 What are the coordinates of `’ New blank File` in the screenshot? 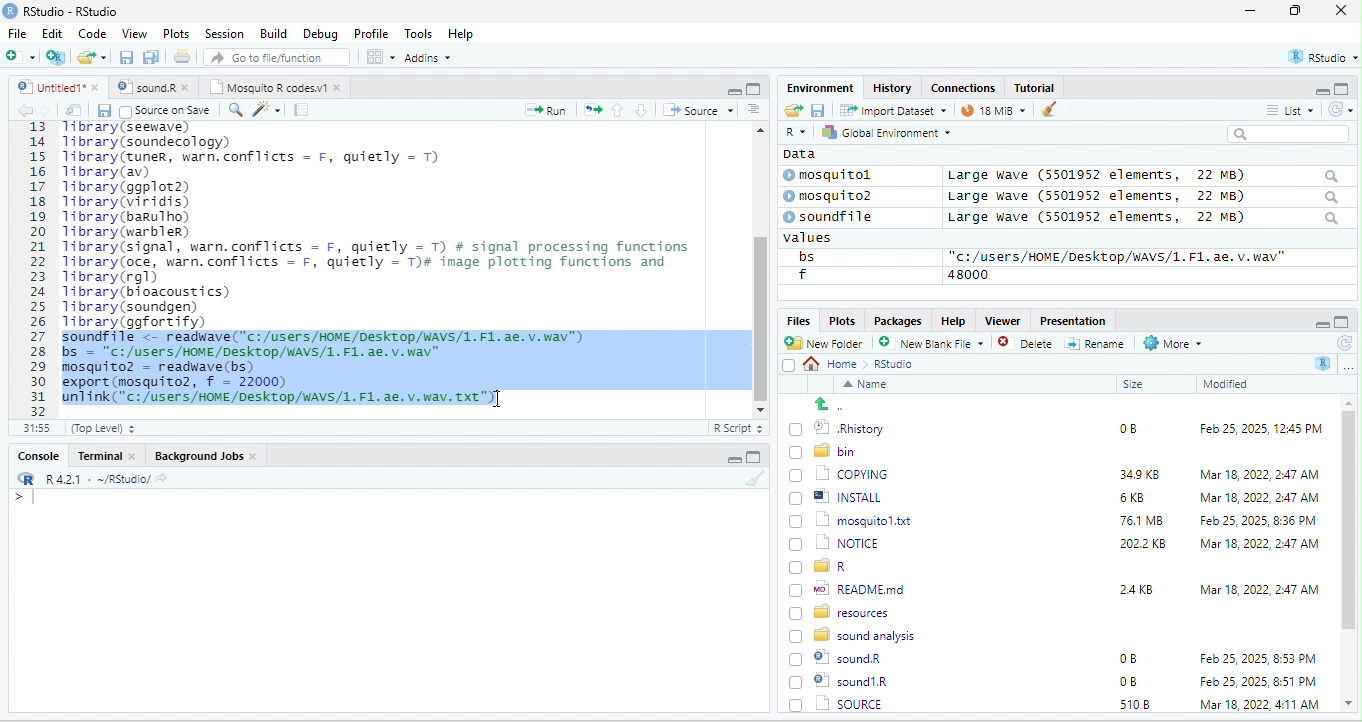 It's located at (937, 346).